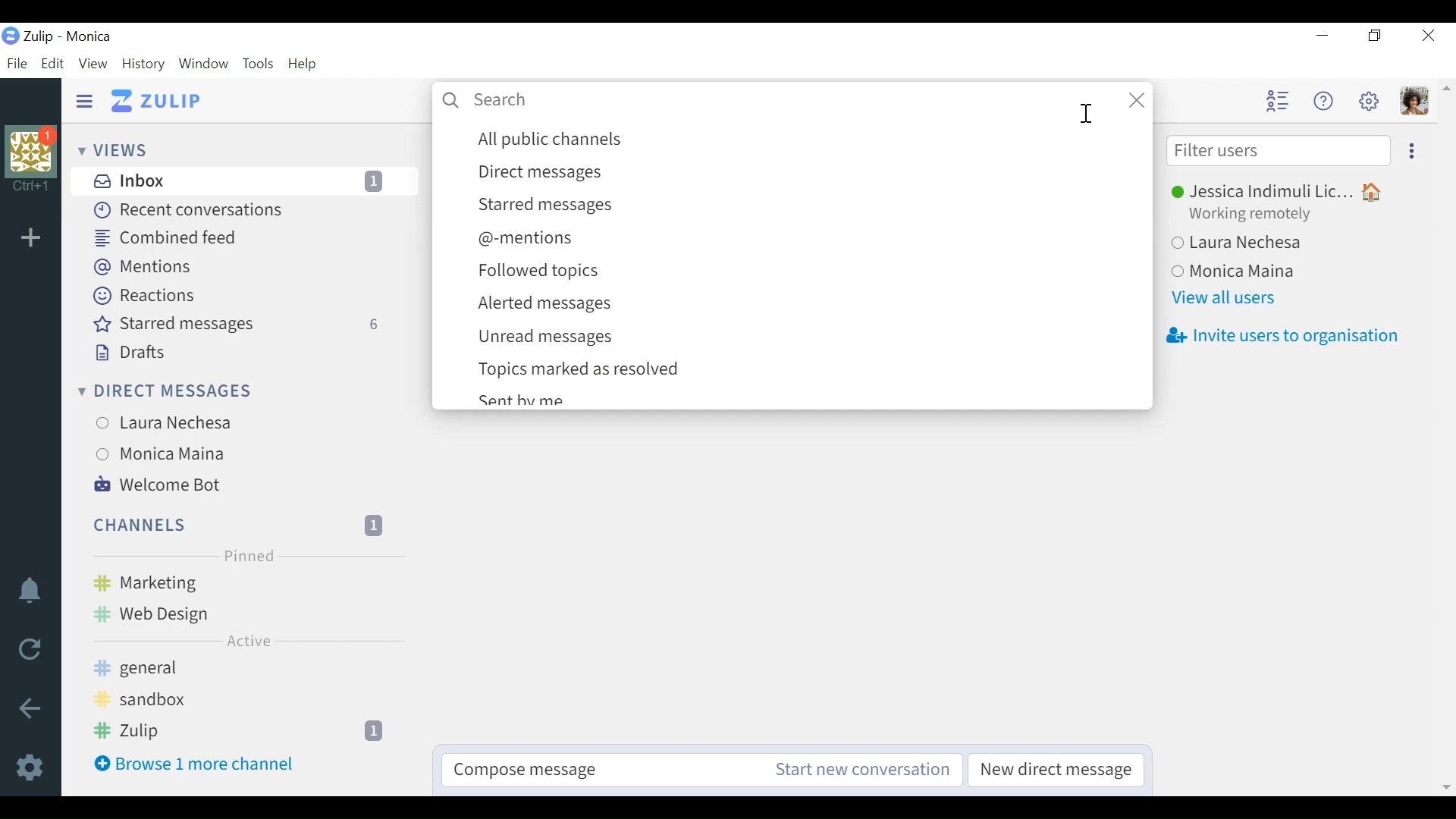 This screenshot has height=819, width=1456. What do you see at coordinates (35, 243) in the screenshot?
I see `add organisation` at bounding box center [35, 243].